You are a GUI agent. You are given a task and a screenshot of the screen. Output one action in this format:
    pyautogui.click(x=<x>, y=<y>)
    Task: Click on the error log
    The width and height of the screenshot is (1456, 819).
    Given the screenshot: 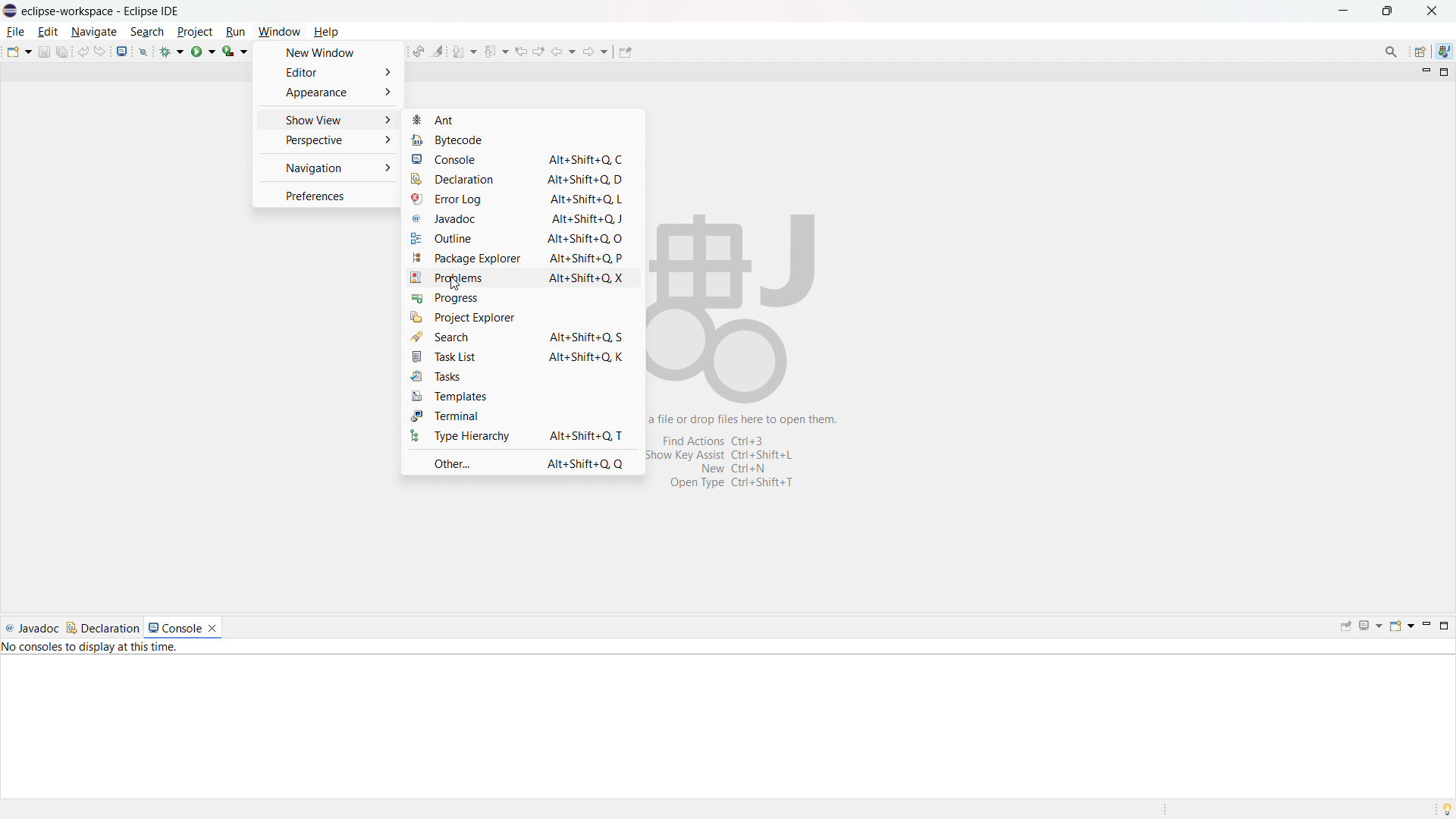 What is the action you would take?
    pyautogui.click(x=522, y=198)
    